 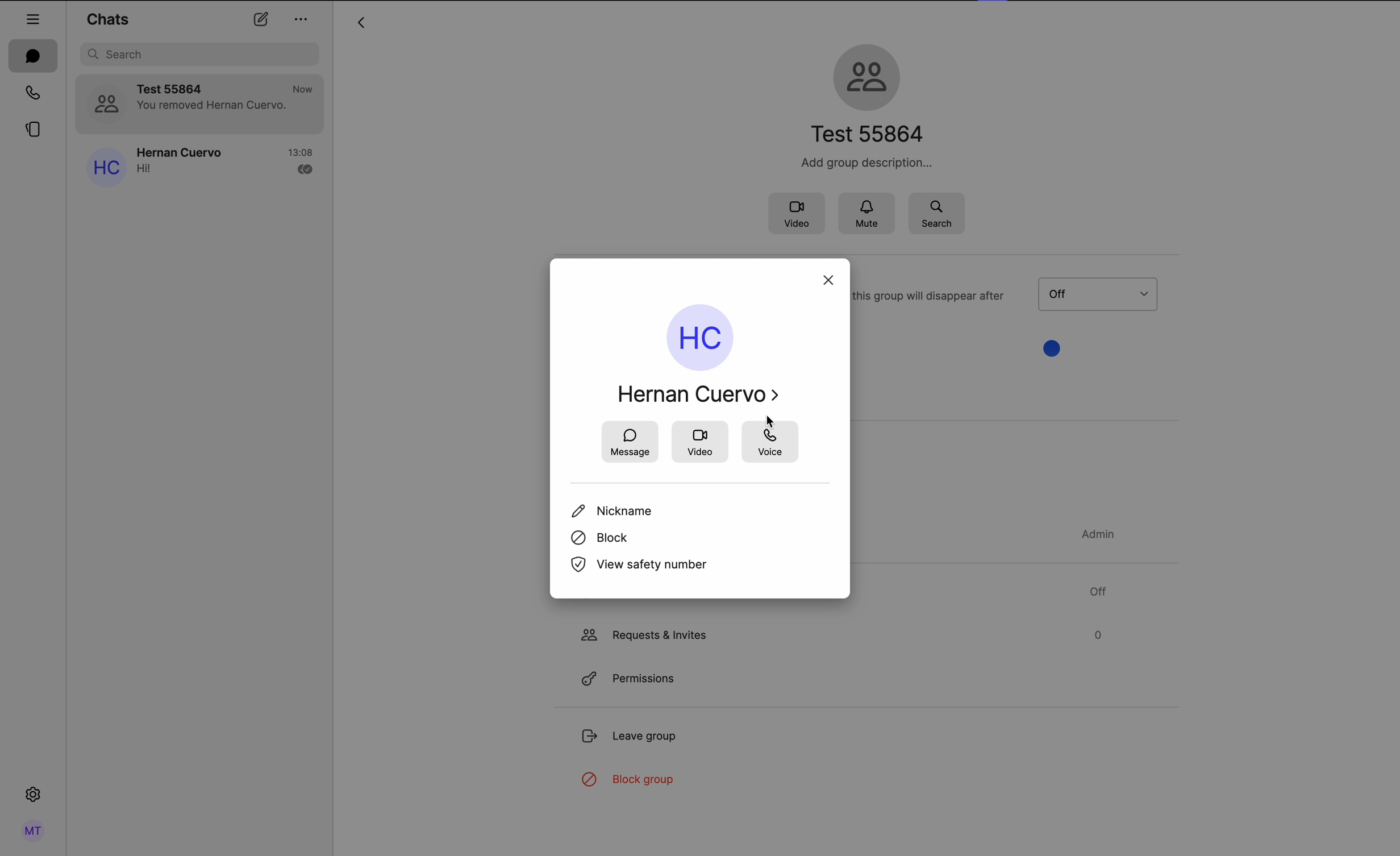 What do you see at coordinates (31, 831) in the screenshot?
I see `profile` at bounding box center [31, 831].